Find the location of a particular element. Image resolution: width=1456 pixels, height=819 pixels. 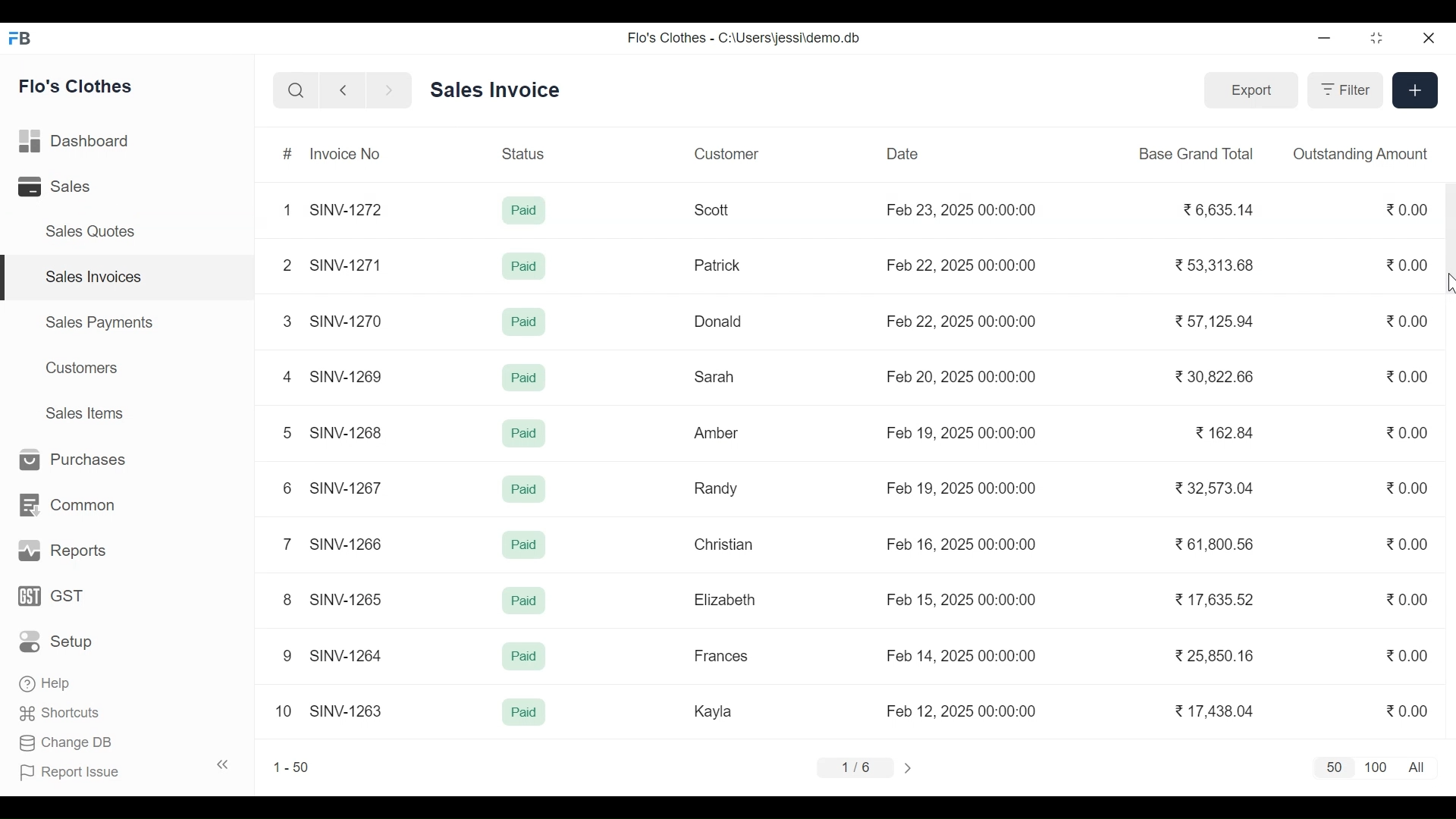

Sales is located at coordinates (58, 187).